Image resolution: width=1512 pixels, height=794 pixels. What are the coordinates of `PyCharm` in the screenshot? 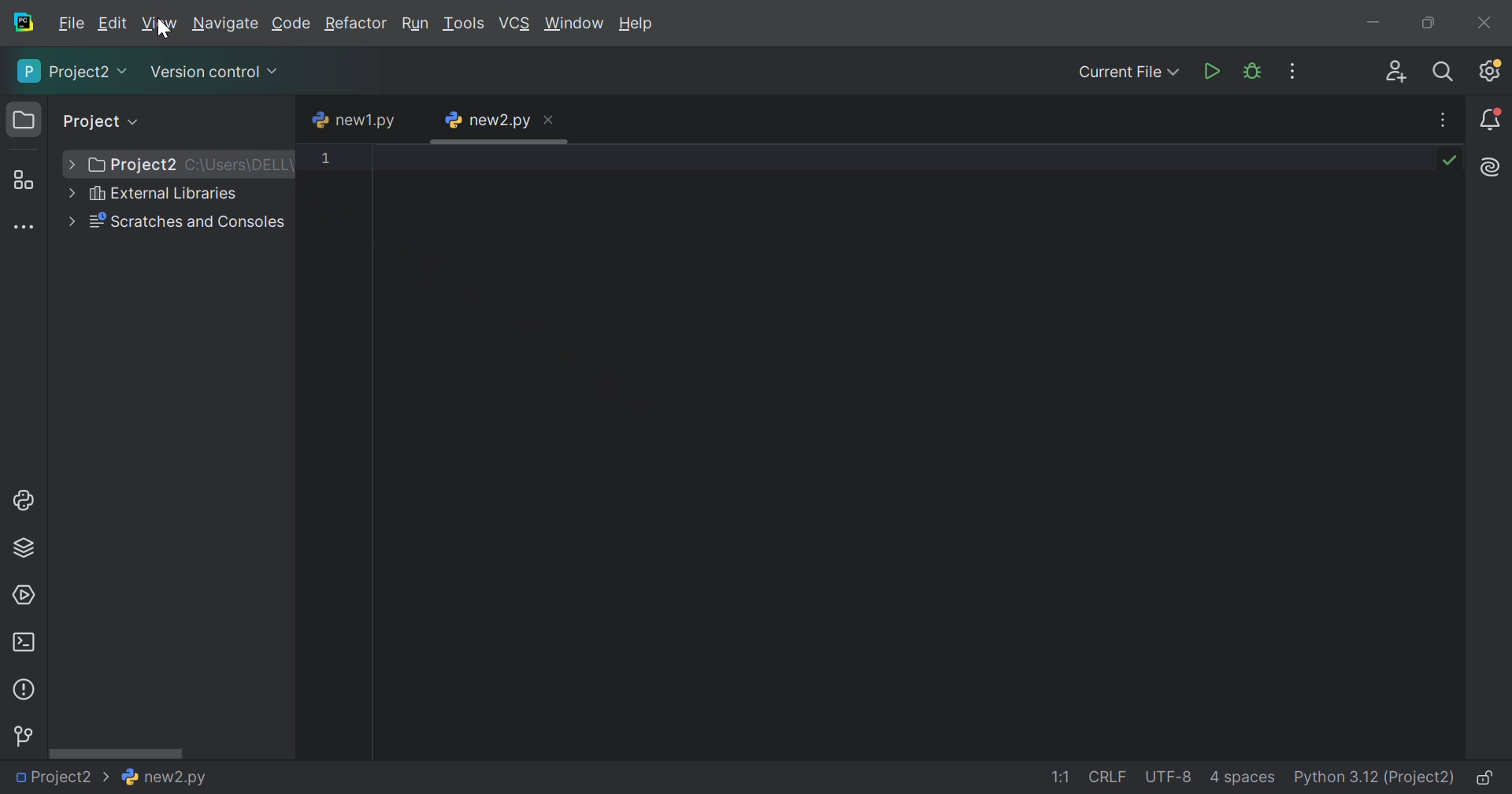 It's located at (23, 24).